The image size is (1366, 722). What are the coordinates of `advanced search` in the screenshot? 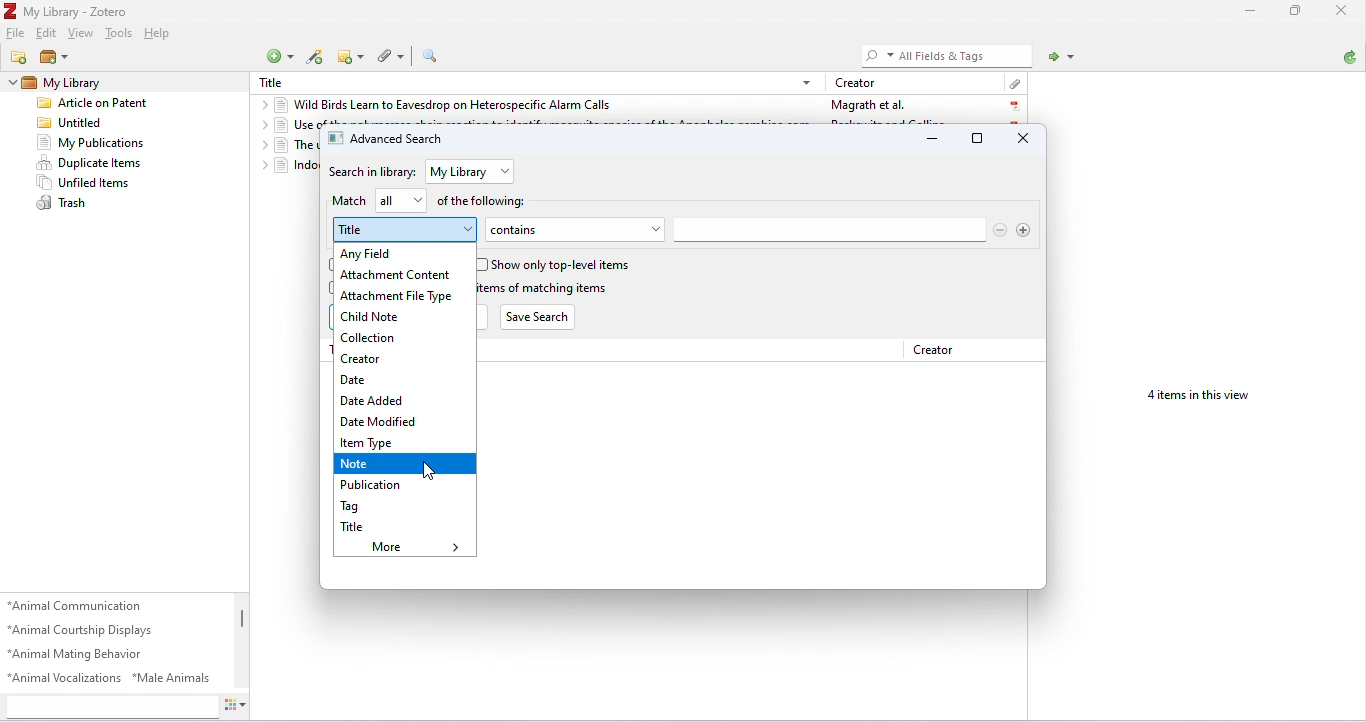 It's located at (434, 56).